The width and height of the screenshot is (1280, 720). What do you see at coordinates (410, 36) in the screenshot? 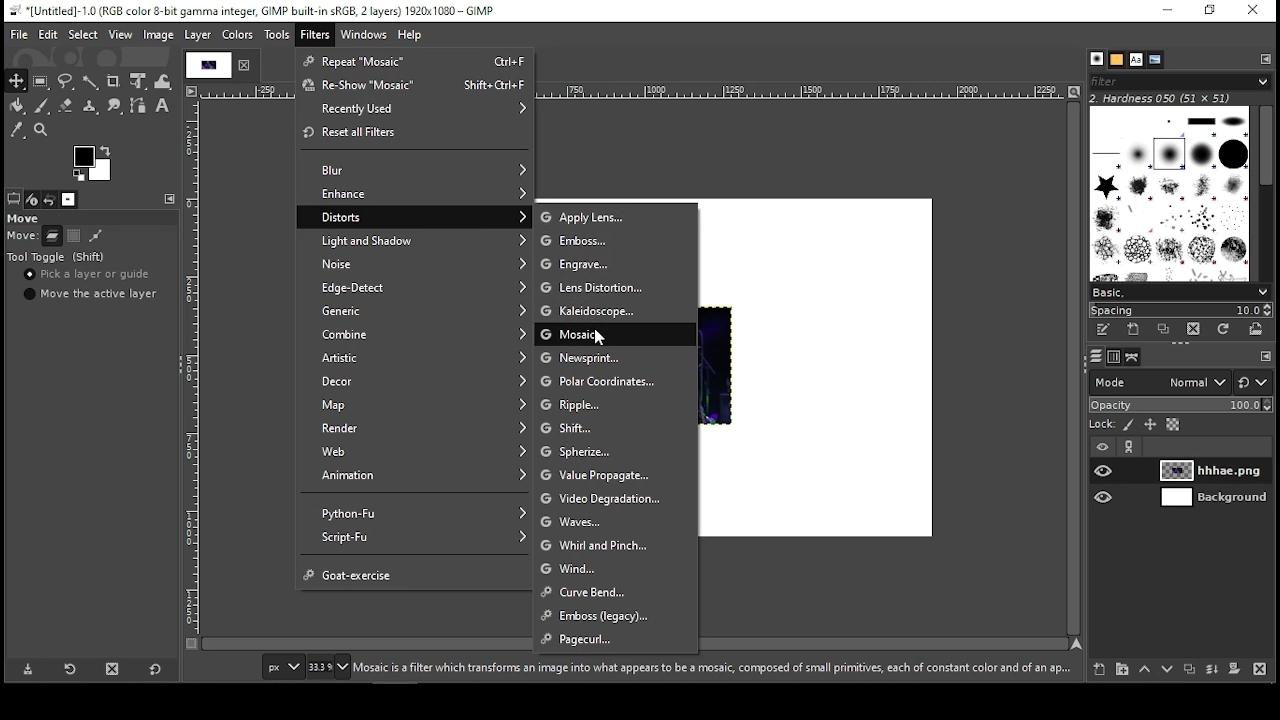
I see `help` at bounding box center [410, 36].